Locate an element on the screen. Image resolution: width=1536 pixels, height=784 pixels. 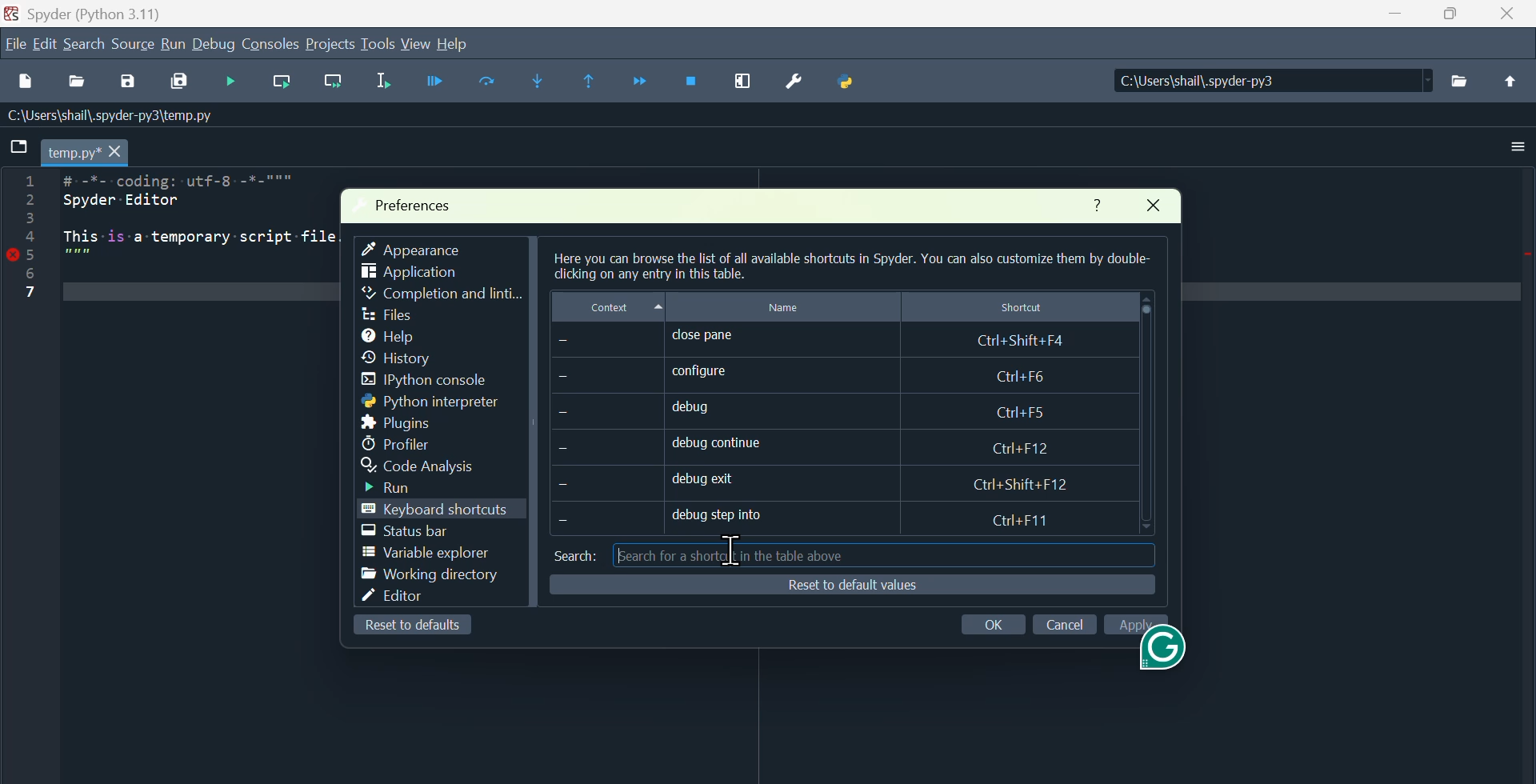
help is located at coordinates (389, 337).